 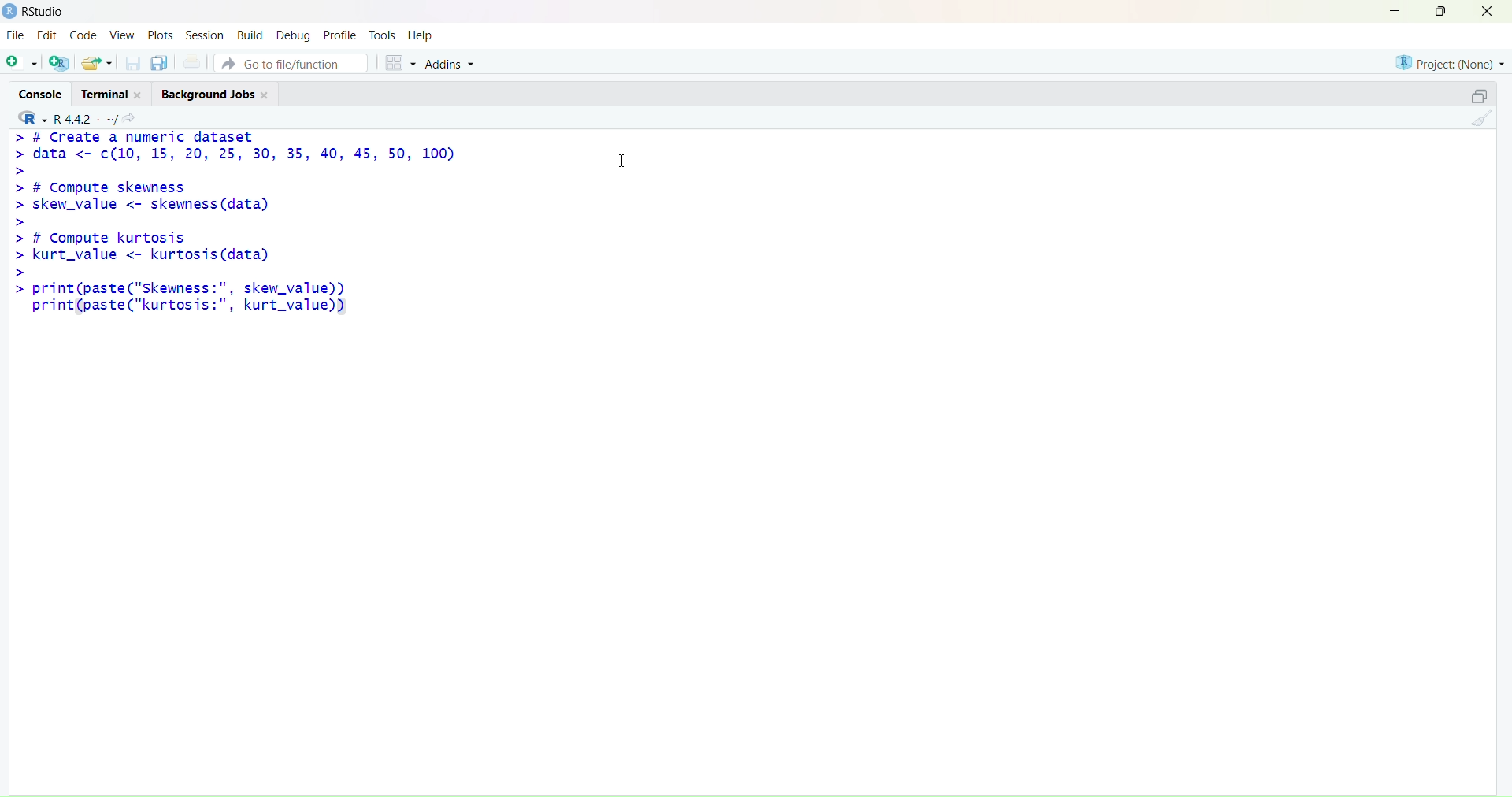 What do you see at coordinates (455, 63) in the screenshot?
I see `Addins` at bounding box center [455, 63].